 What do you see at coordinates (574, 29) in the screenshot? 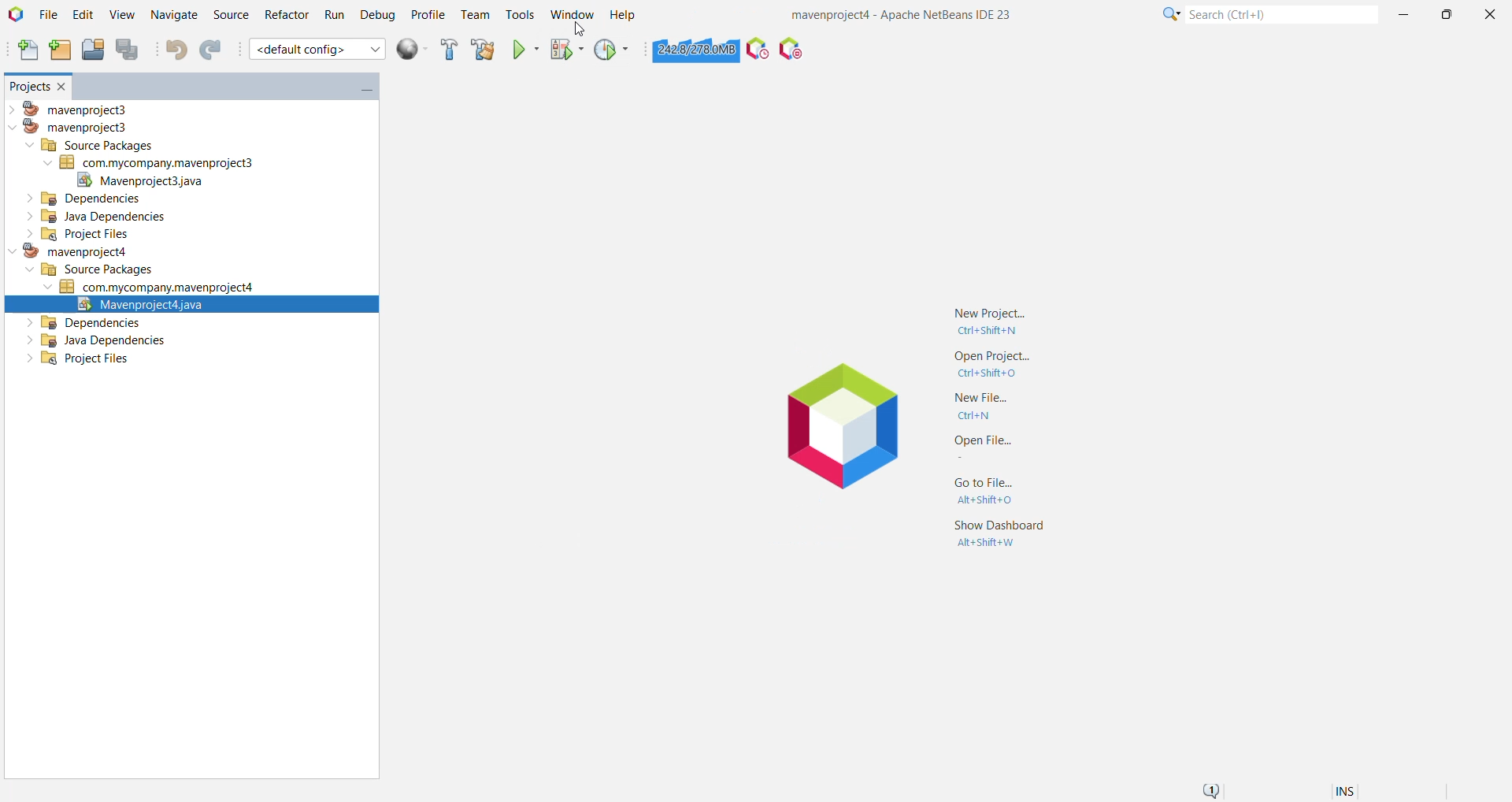
I see `Cursor` at bounding box center [574, 29].